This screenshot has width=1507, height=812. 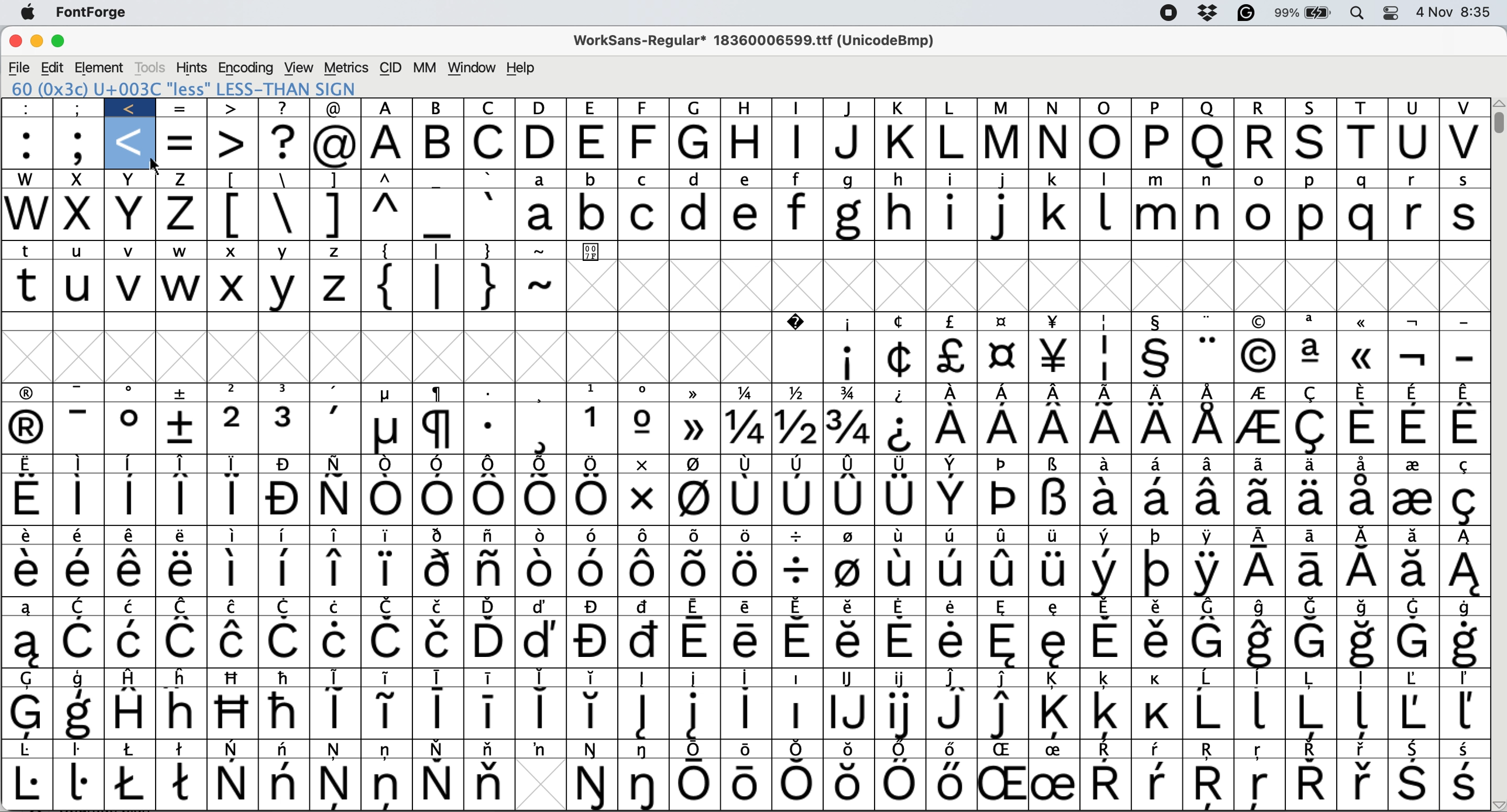 I want to click on Symbol, so click(x=130, y=394).